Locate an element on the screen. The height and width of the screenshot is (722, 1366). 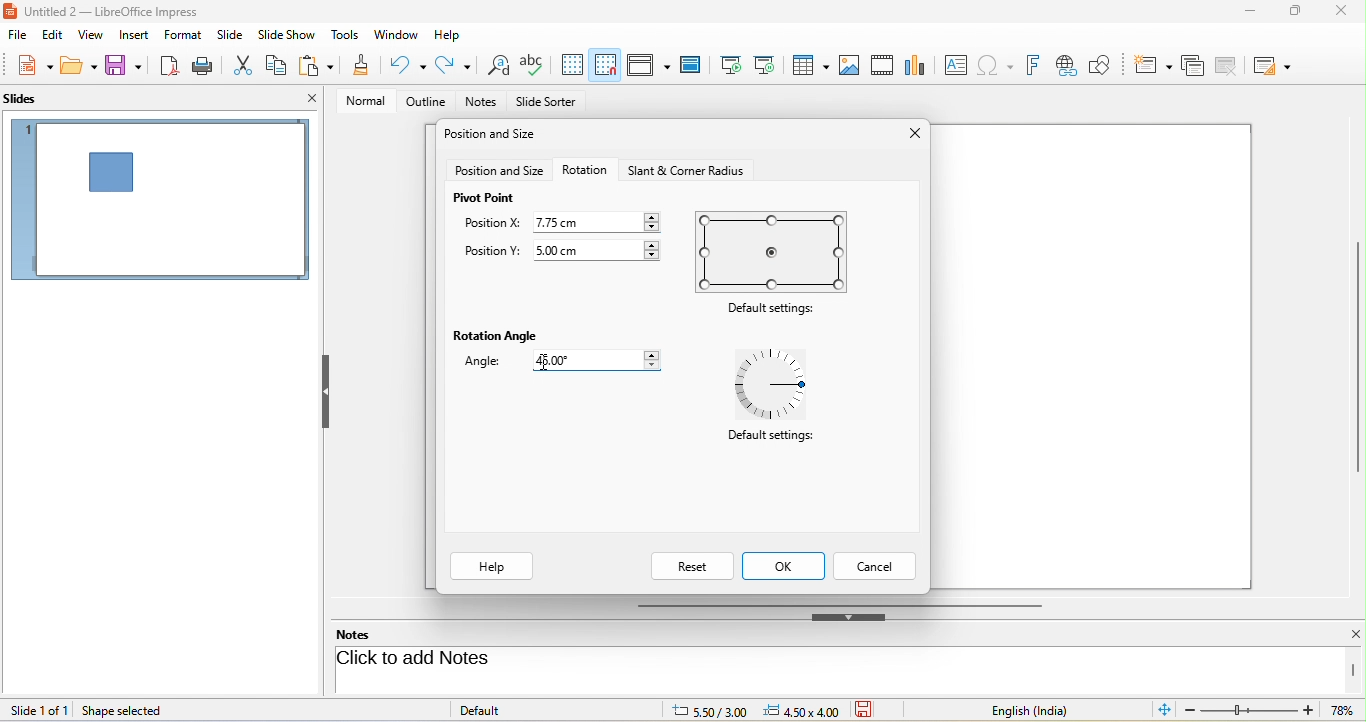
libre office impress logo is located at coordinates (9, 10).